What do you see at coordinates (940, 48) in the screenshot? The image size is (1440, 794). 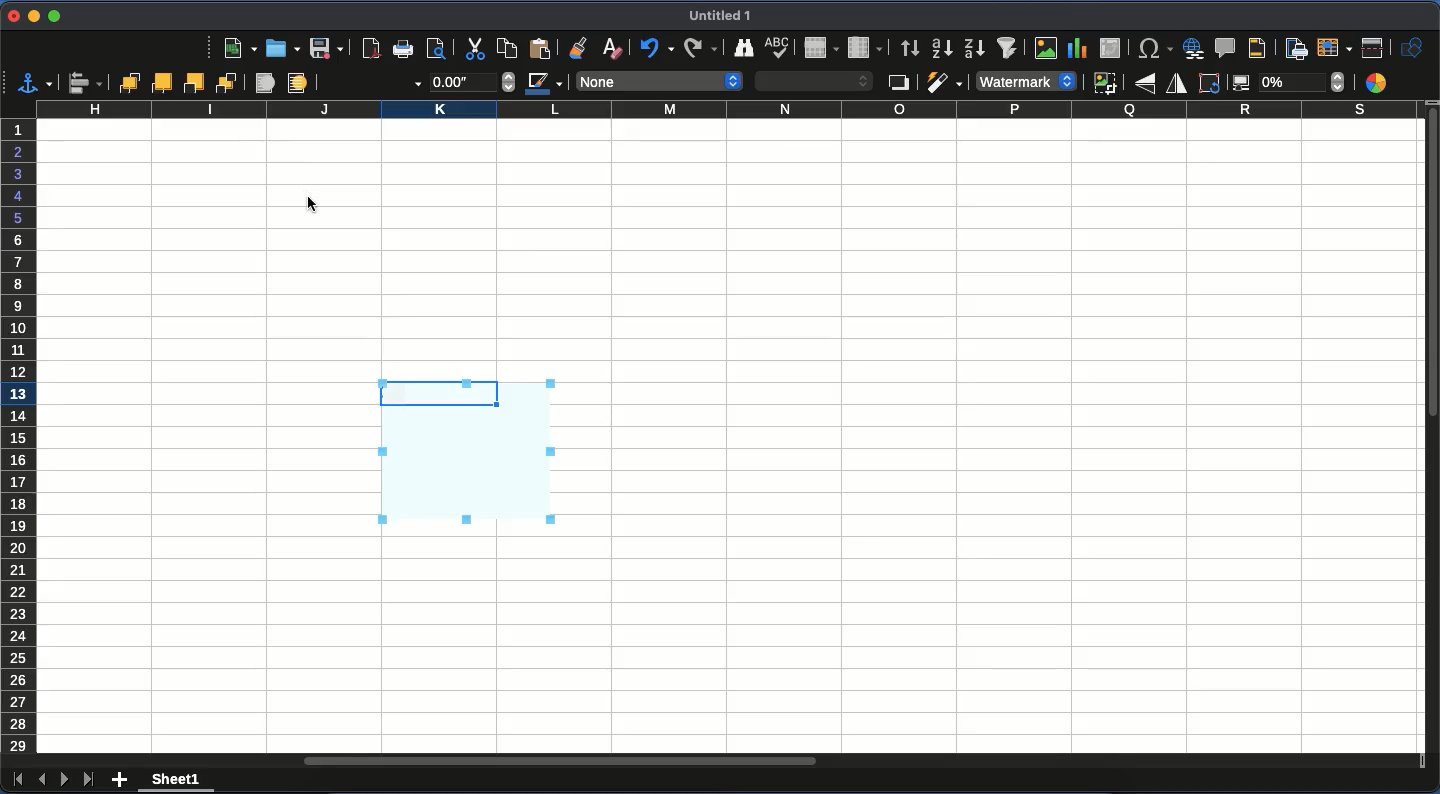 I see `ascending` at bounding box center [940, 48].